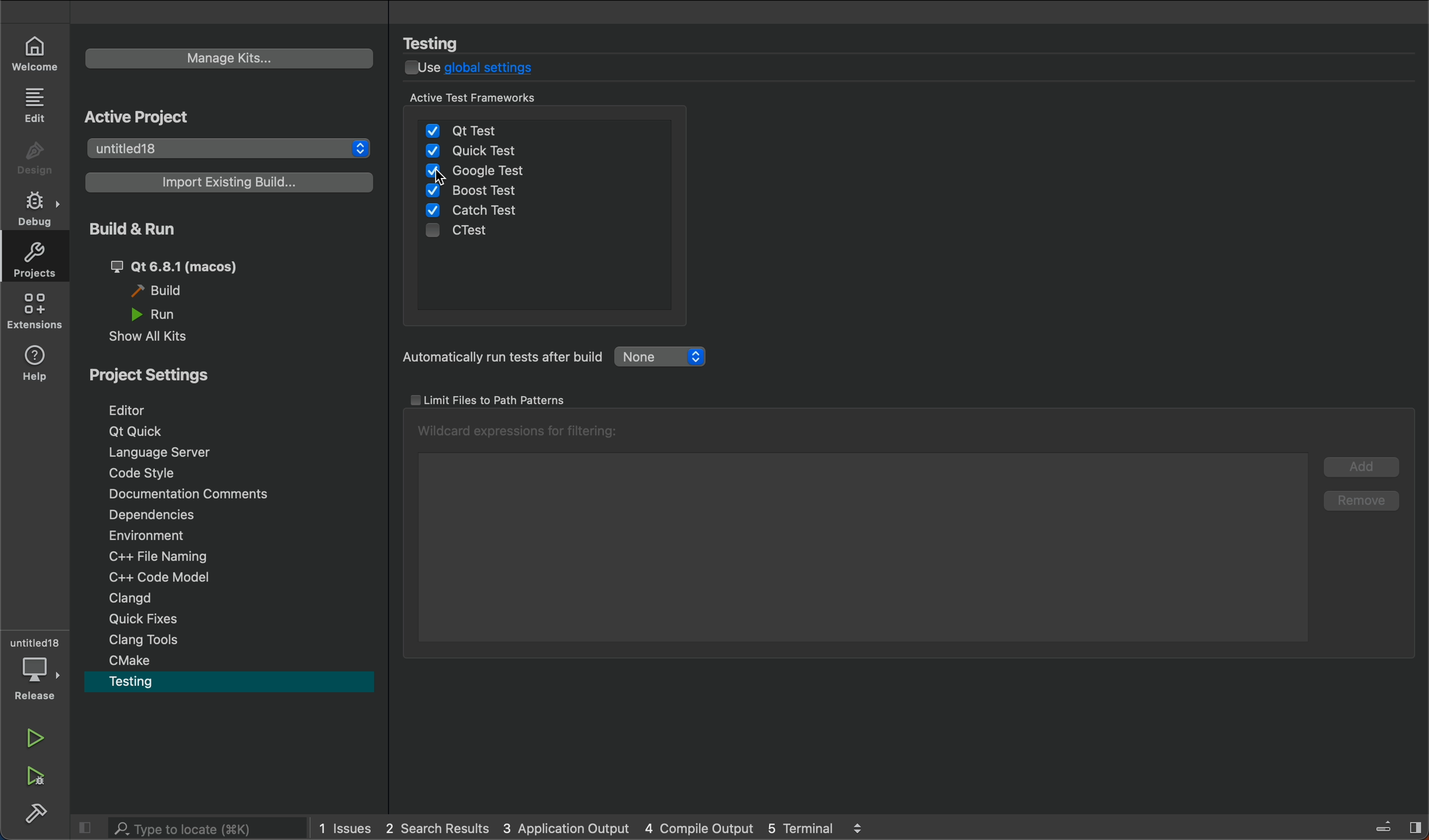 The image size is (1429, 840). I want to click on logs, so click(590, 830).